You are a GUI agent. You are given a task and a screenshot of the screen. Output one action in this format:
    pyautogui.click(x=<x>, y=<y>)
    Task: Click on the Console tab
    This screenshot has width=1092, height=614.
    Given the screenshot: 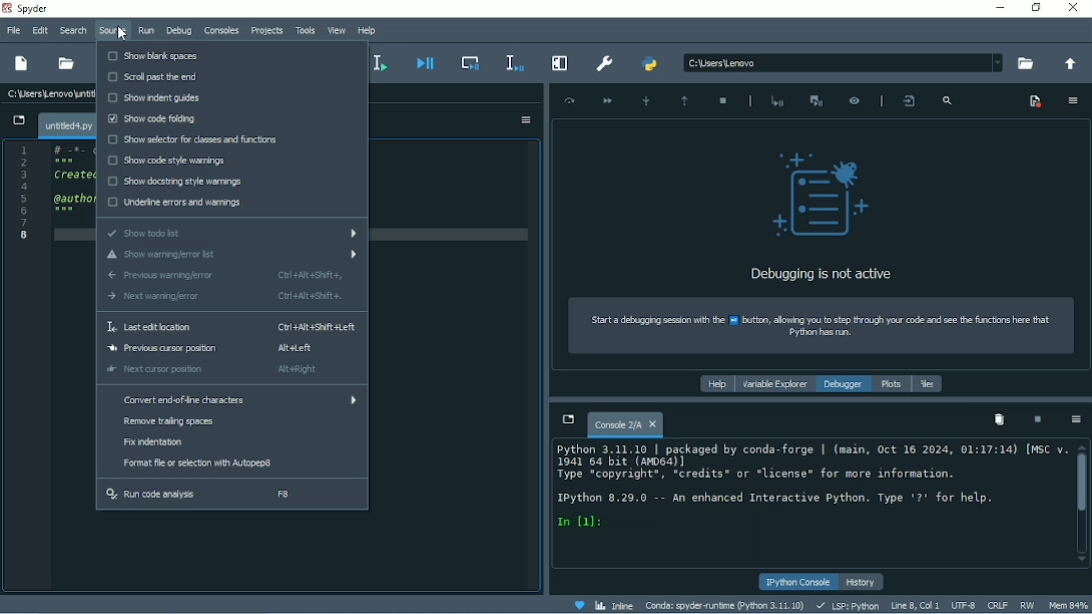 What is the action you would take?
    pyautogui.click(x=625, y=425)
    